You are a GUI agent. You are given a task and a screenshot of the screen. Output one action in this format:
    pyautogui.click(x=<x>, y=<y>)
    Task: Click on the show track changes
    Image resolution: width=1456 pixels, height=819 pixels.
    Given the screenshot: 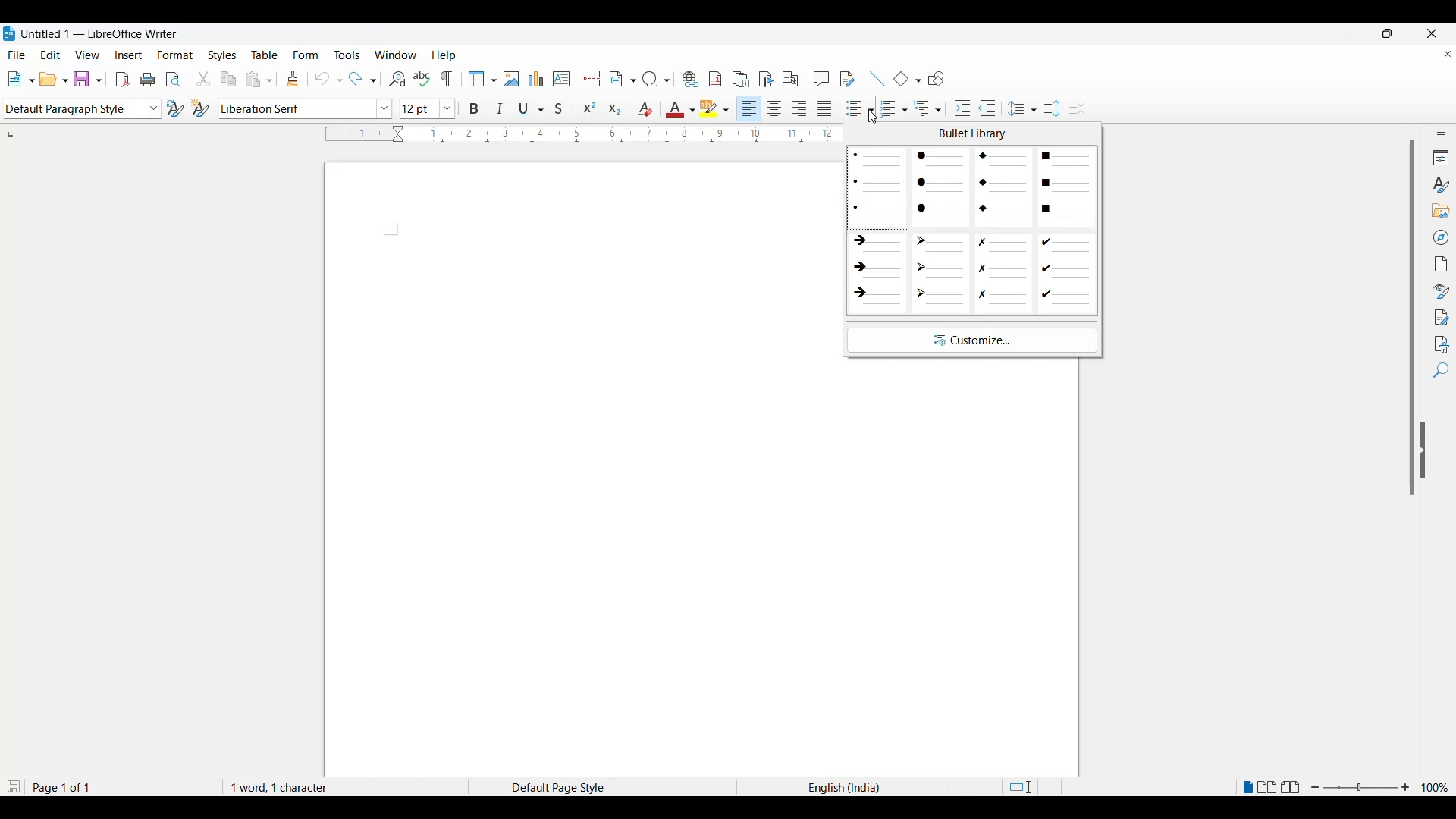 What is the action you would take?
    pyautogui.click(x=849, y=78)
    